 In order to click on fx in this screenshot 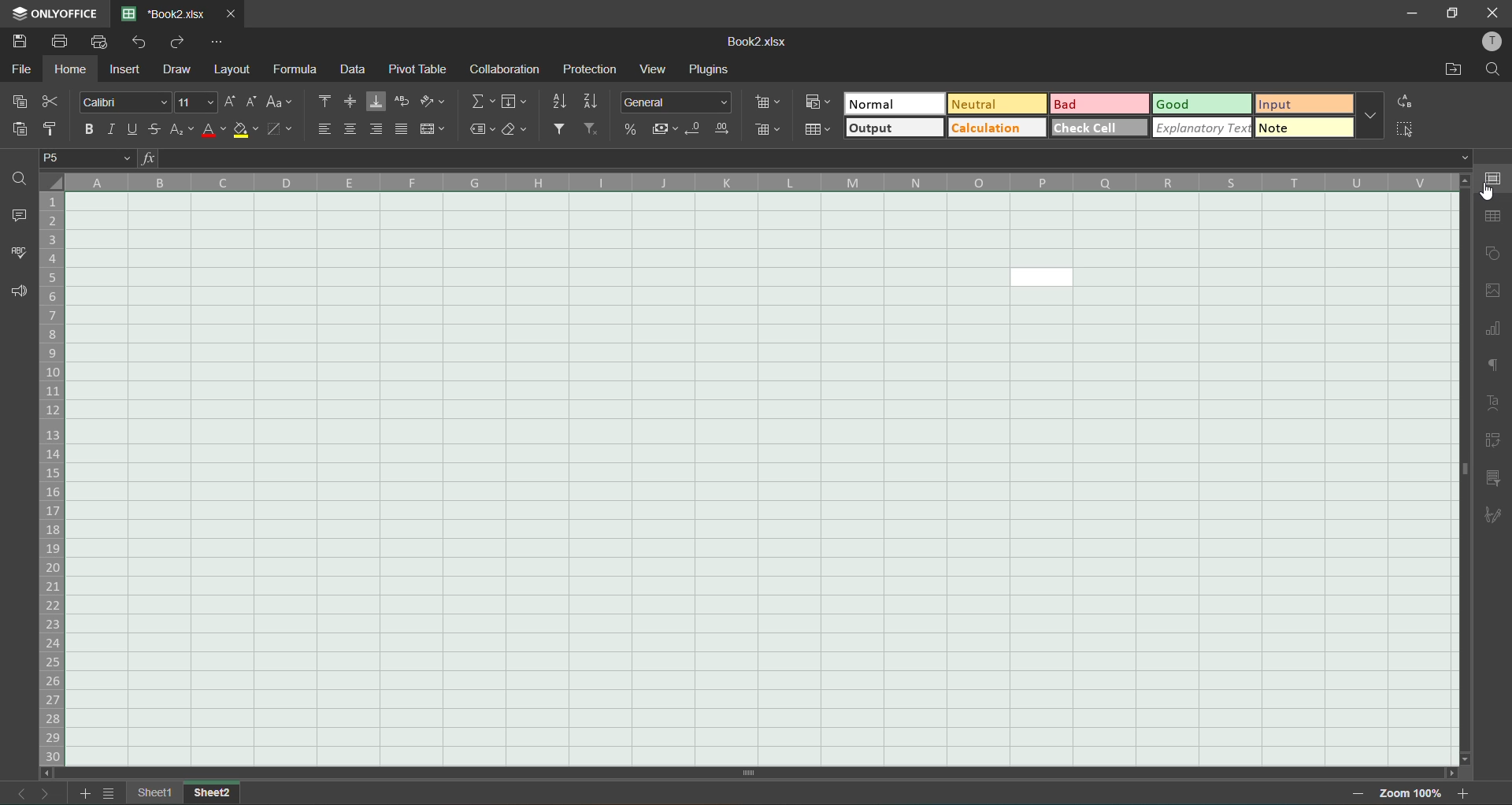, I will do `click(148, 157)`.